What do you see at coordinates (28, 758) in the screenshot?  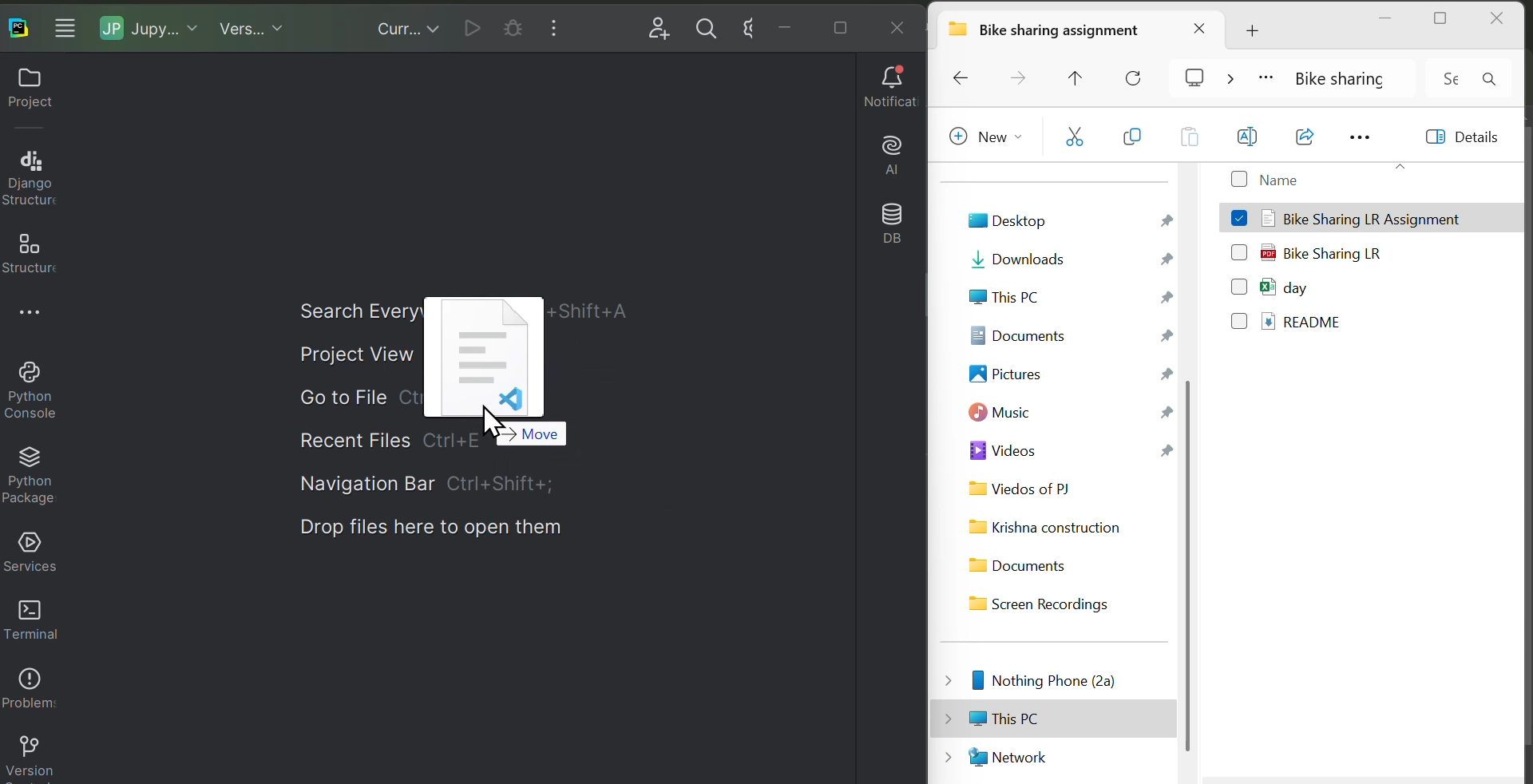 I see `Version control` at bounding box center [28, 758].